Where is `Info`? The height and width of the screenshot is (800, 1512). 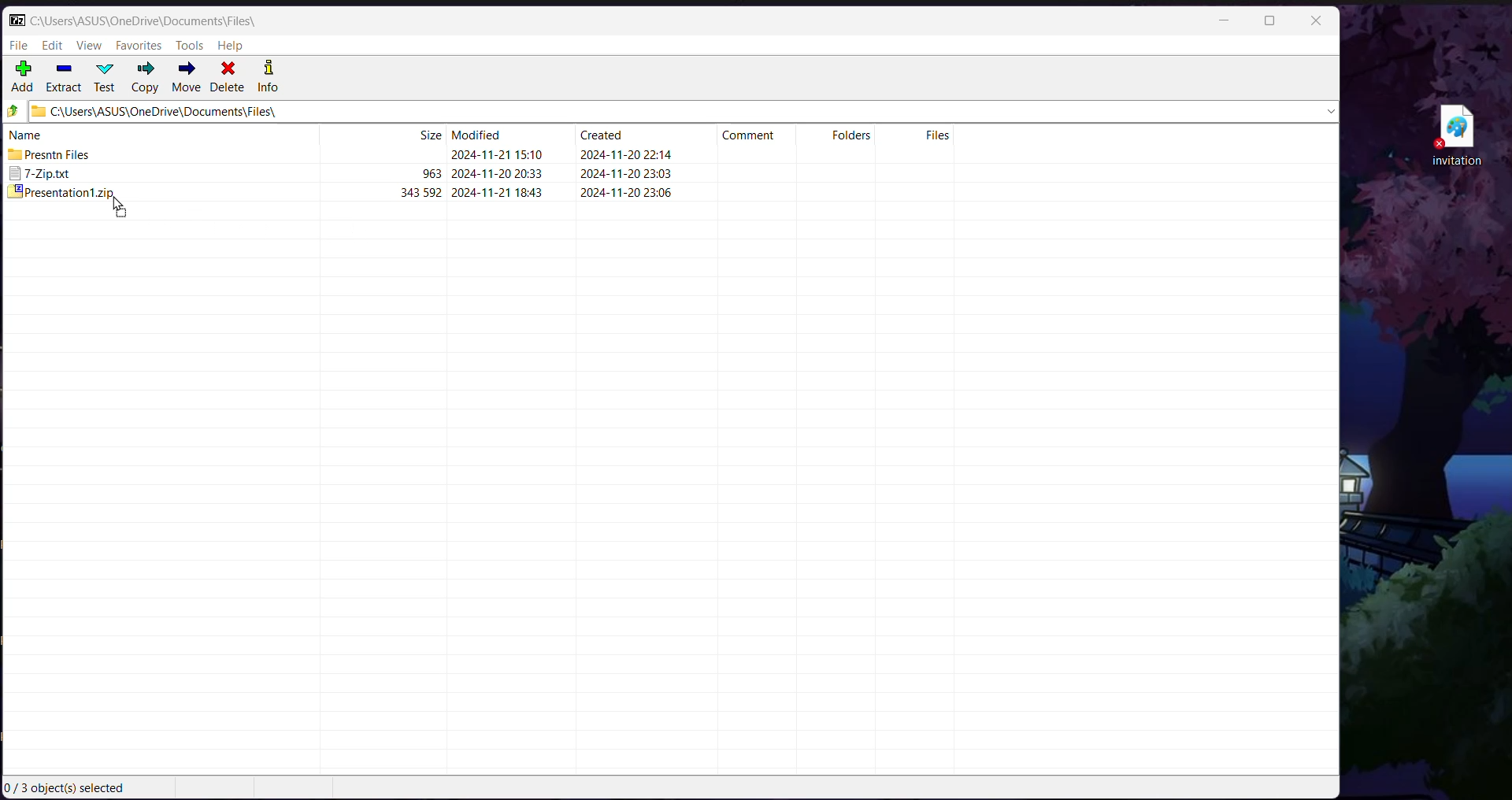
Info is located at coordinates (267, 78).